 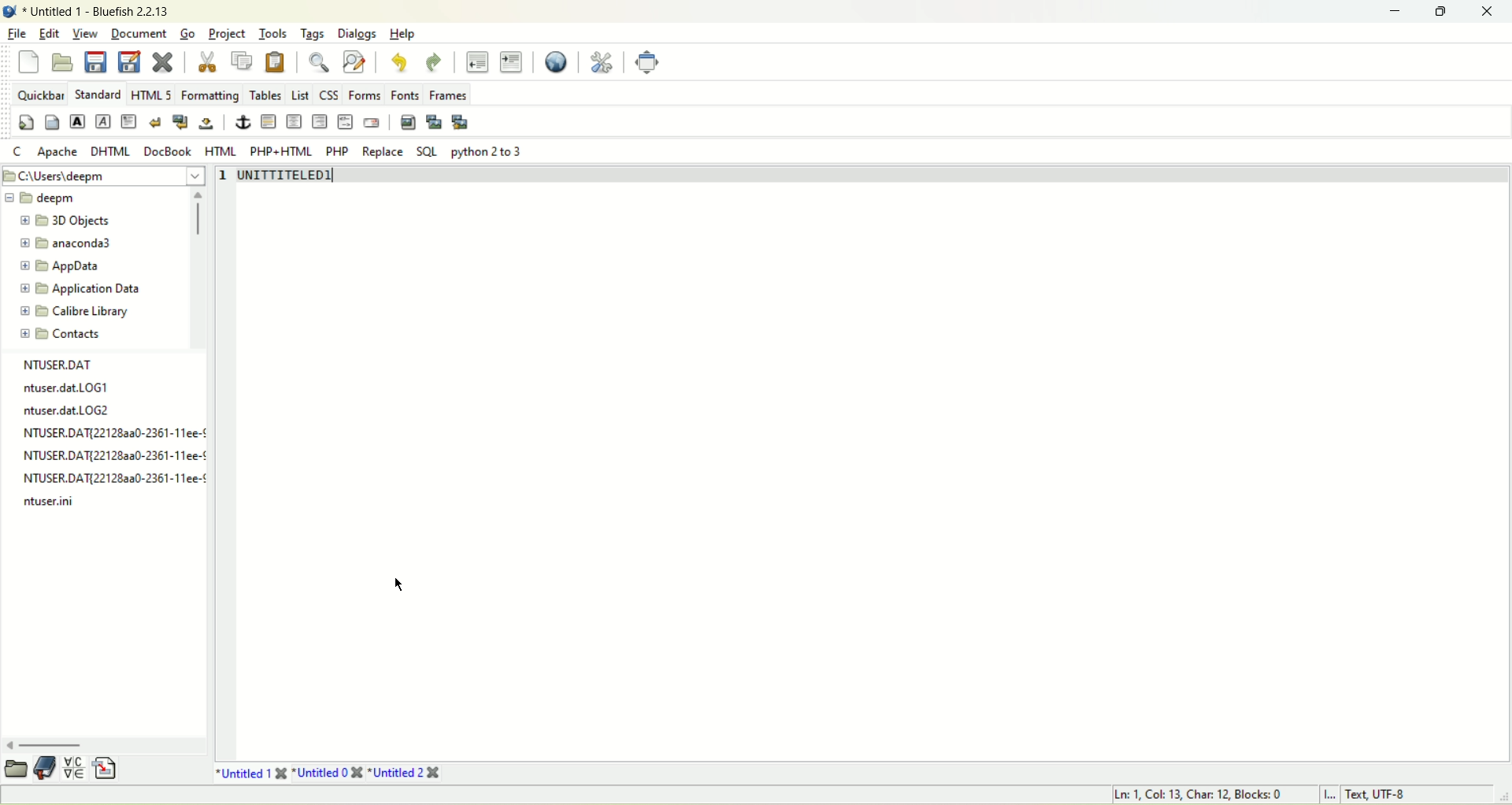 What do you see at coordinates (209, 63) in the screenshot?
I see `cut` at bounding box center [209, 63].